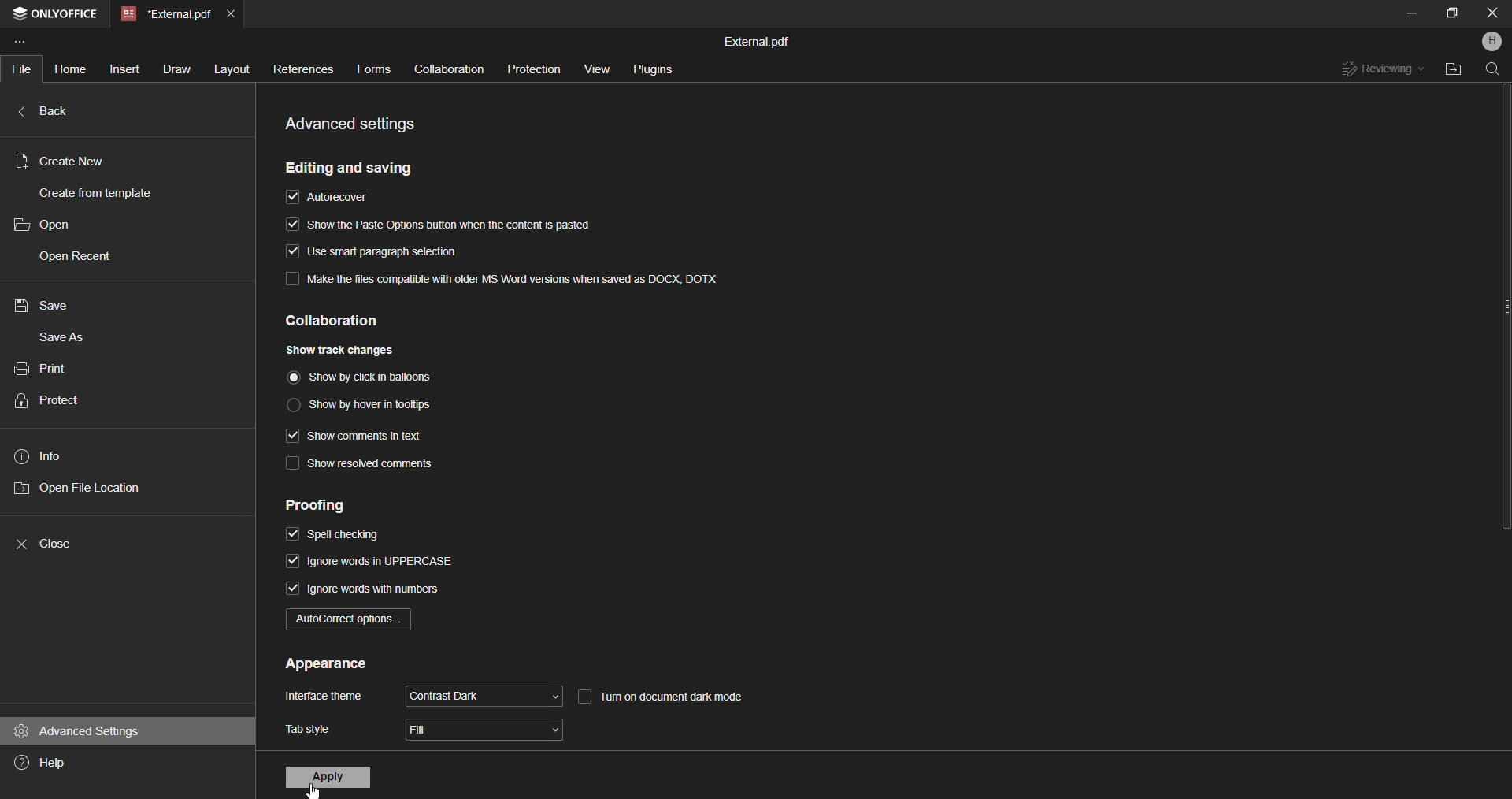  Describe the element at coordinates (502, 277) in the screenshot. I see `make the file compatible` at that location.